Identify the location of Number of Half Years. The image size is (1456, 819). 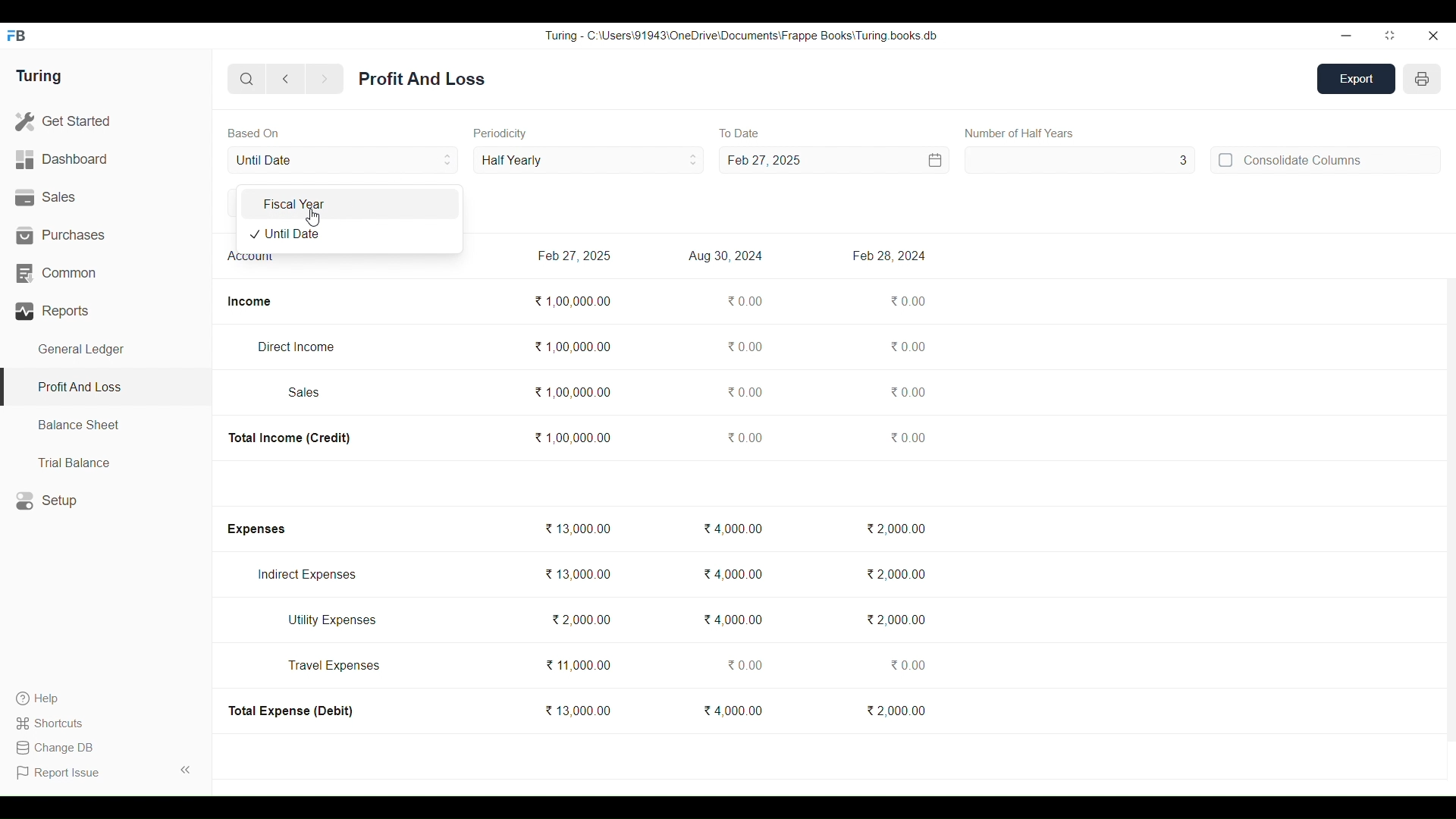
(1020, 133).